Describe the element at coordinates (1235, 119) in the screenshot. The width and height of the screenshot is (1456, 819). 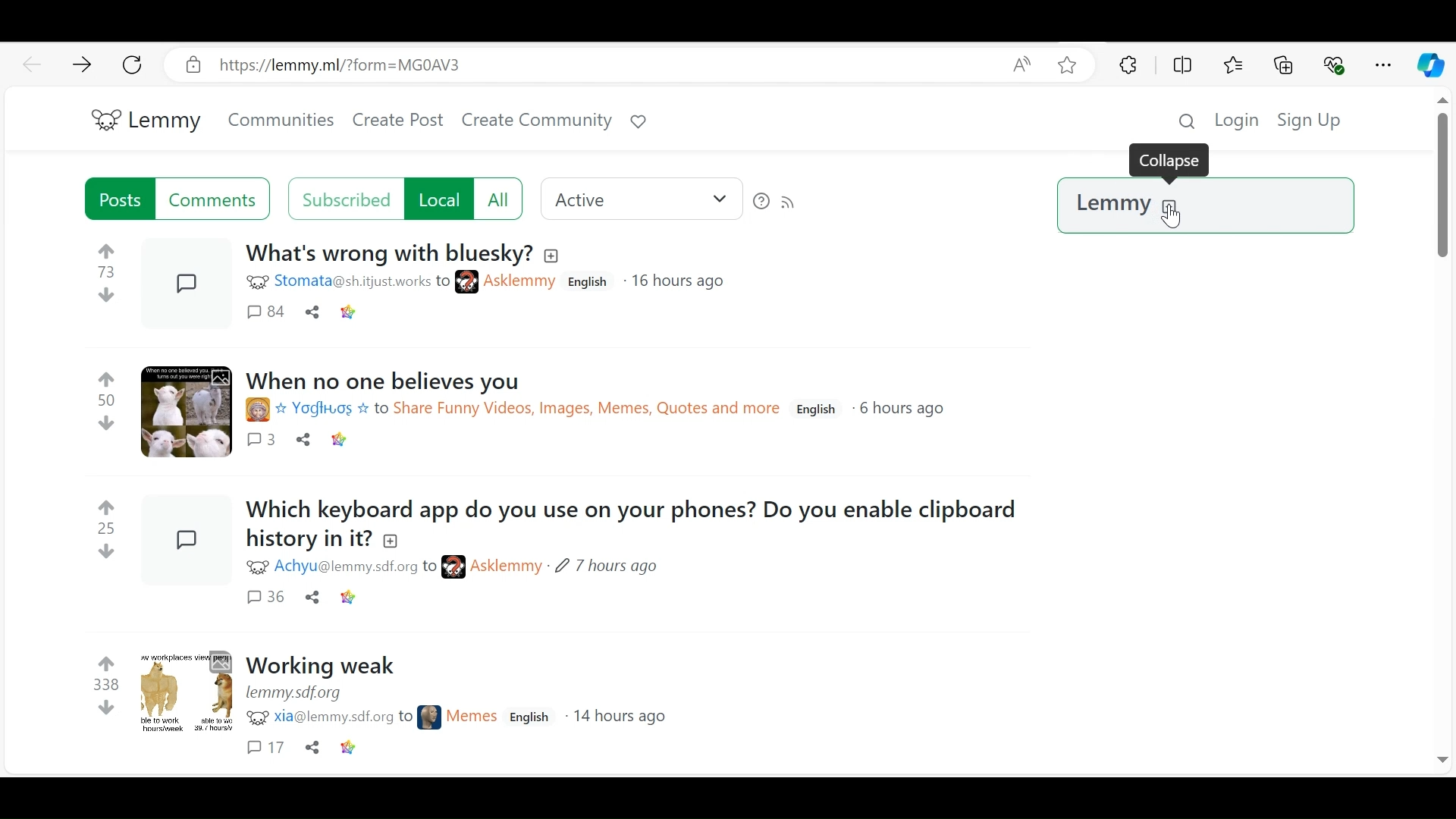
I see `login` at that location.